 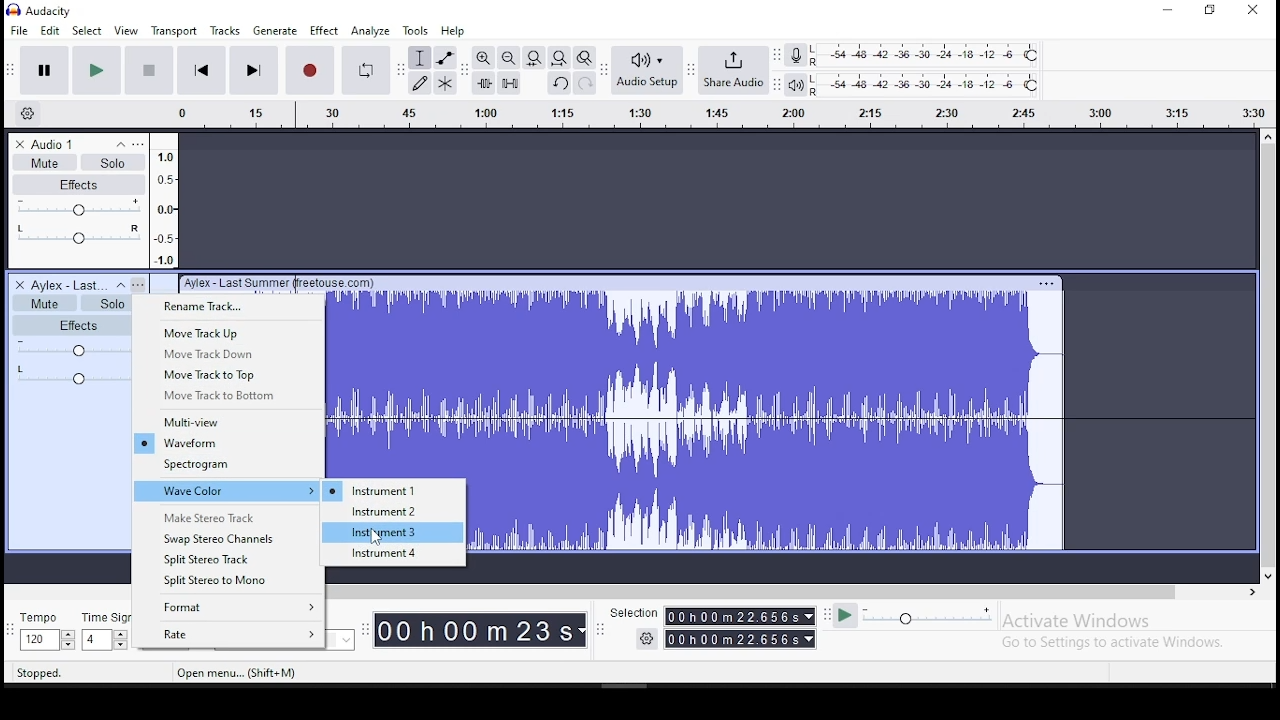 What do you see at coordinates (228, 307) in the screenshot?
I see `rename track` at bounding box center [228, 307].